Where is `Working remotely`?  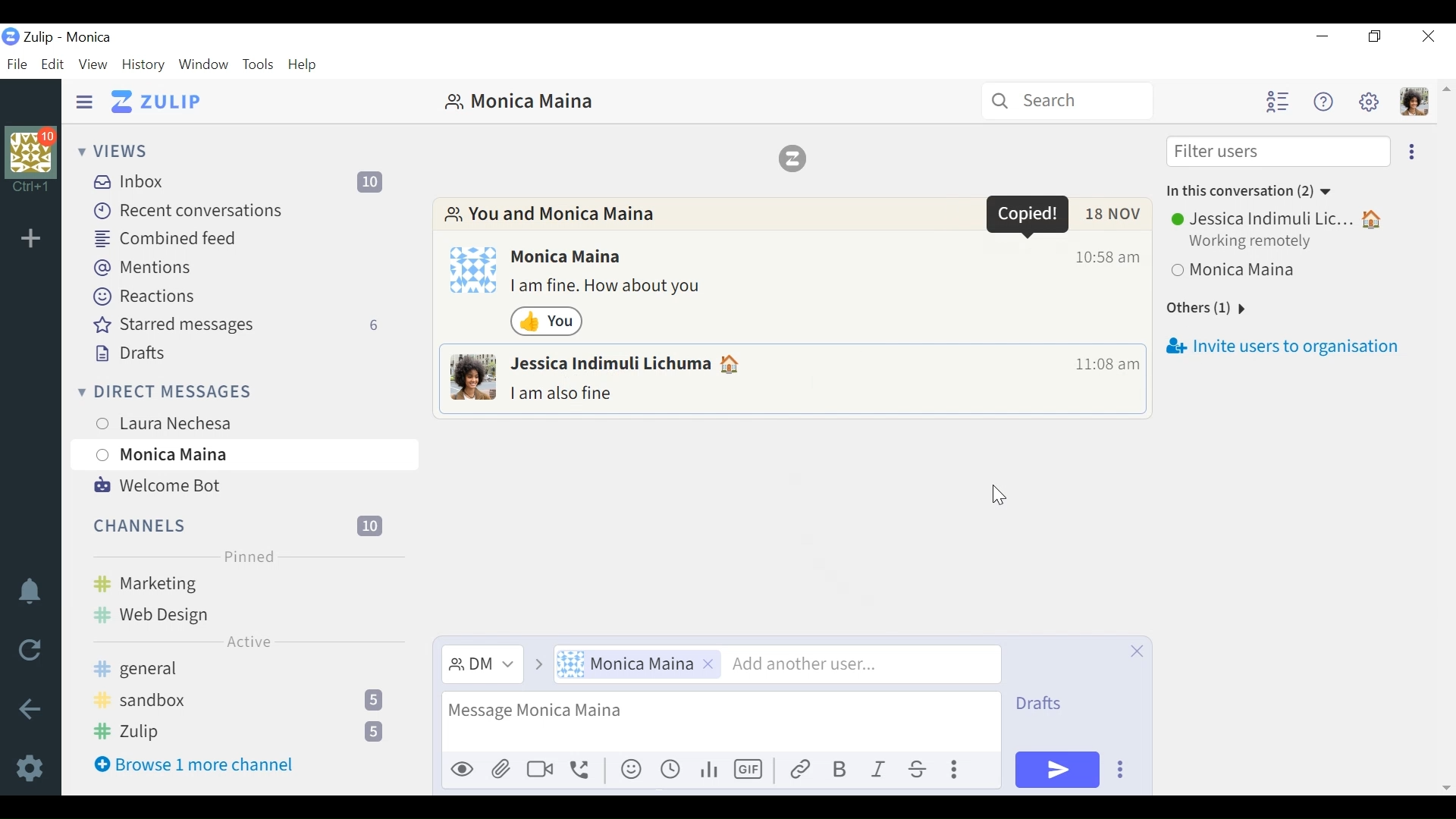
Working remotely is located at coordinates (1255, 244).